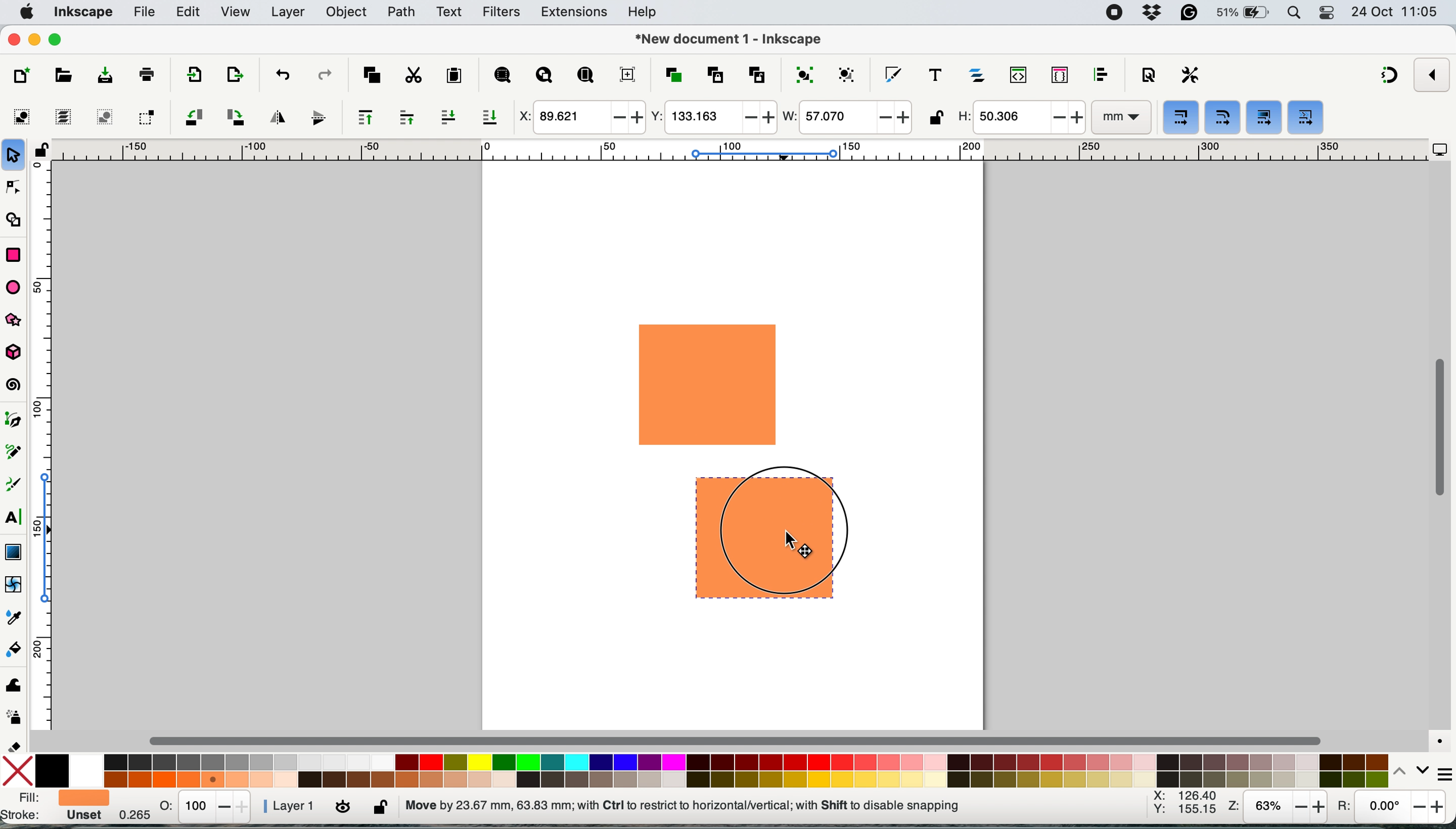  I want to click on cut, so click(412, 75).